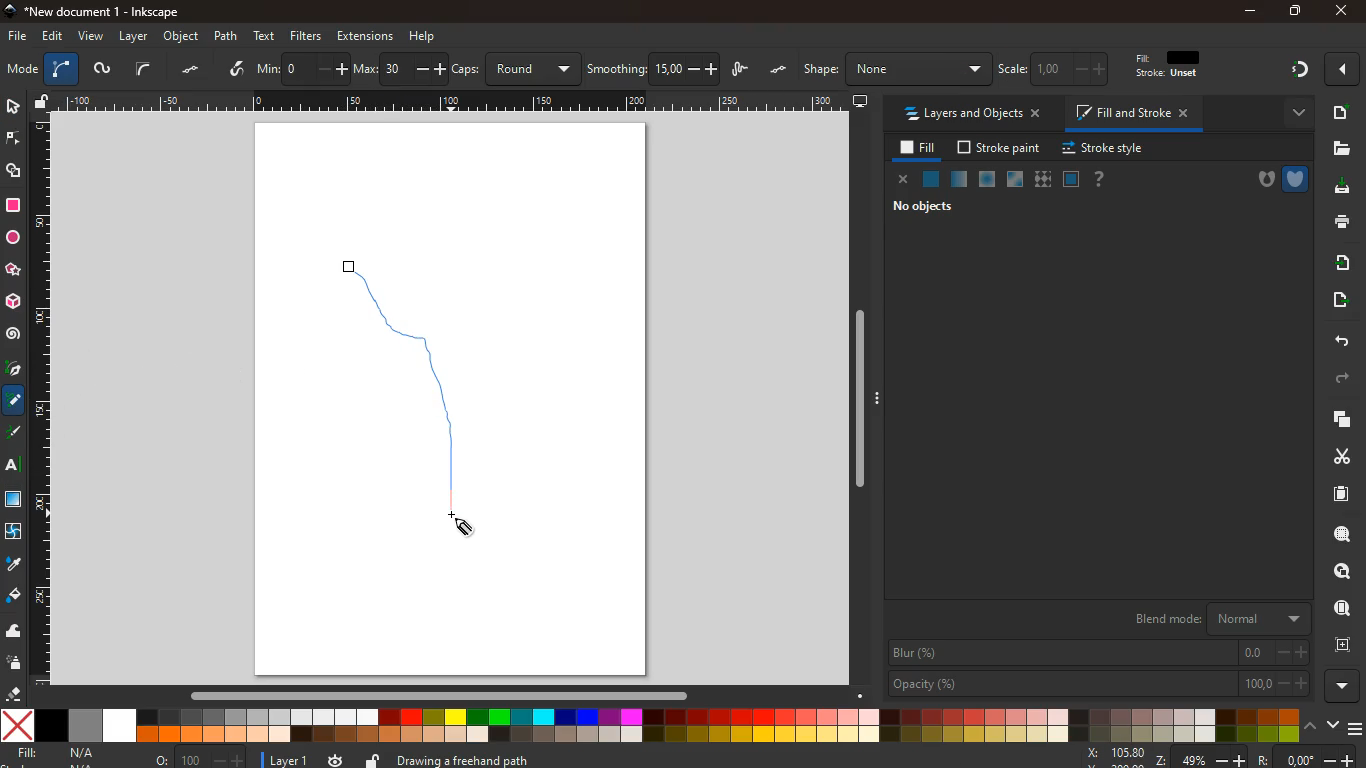  What do you see at coordinates (15, 137) in the screenshot?
I see `node` at bounding box center [15, 137].